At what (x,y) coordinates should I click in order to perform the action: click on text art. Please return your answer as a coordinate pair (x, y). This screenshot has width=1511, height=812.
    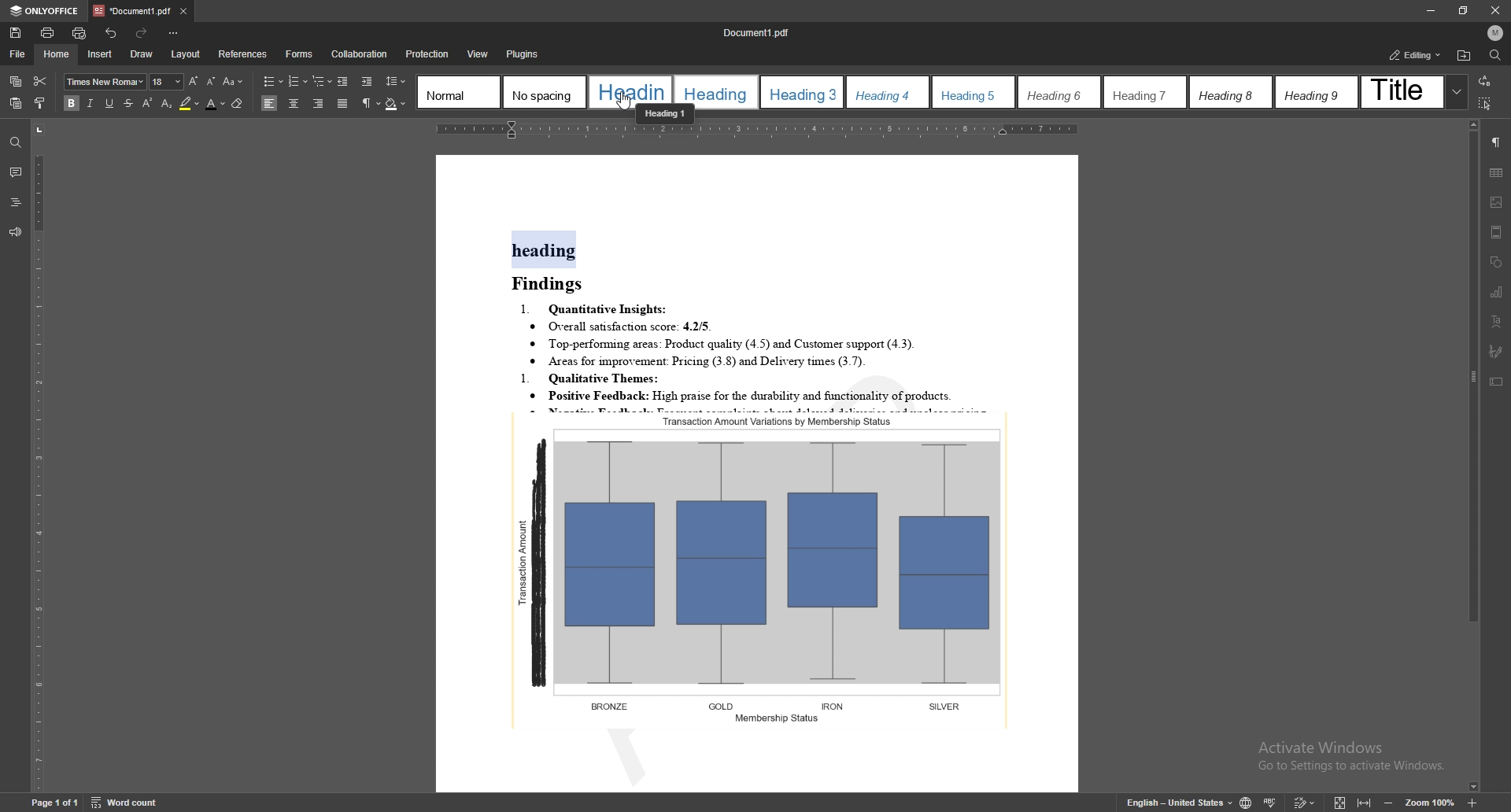
    Looking at the image, I should click on (1496, 322).